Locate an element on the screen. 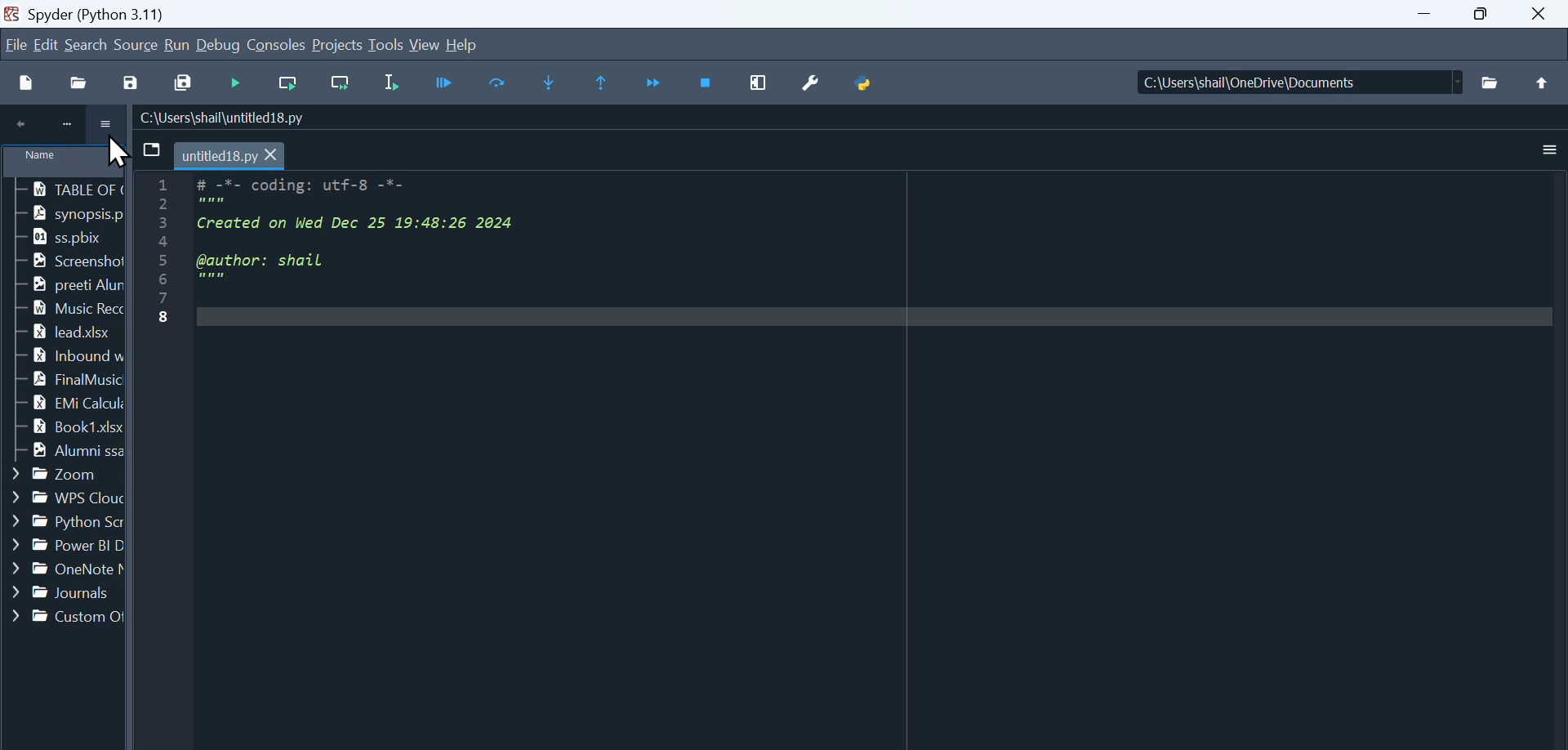  C:\users\shail\untitled18.py is located at coordinates (223, 118).